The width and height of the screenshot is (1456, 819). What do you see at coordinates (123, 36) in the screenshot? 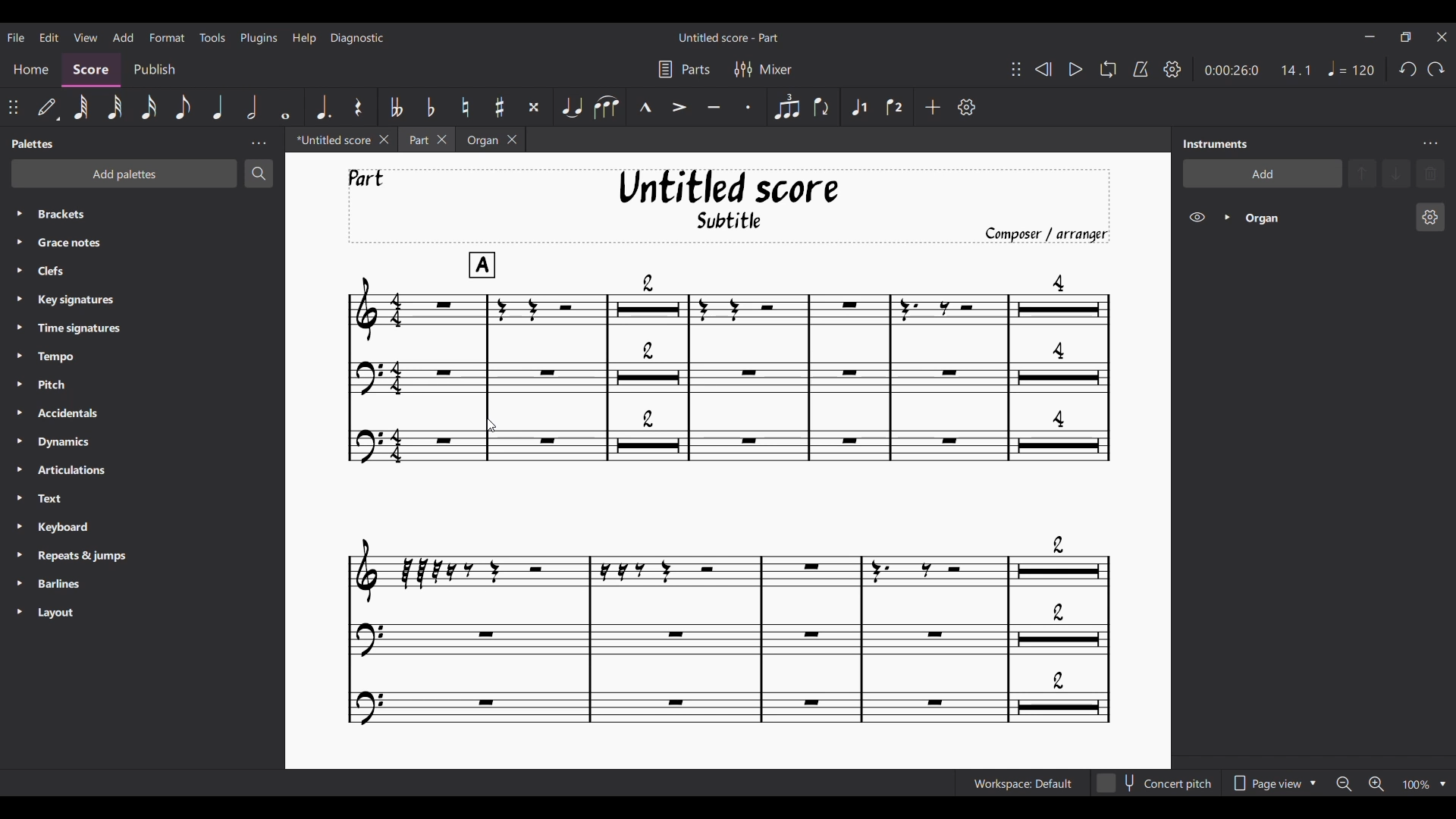
I see `Add menu` at bounding box center [123, 36].